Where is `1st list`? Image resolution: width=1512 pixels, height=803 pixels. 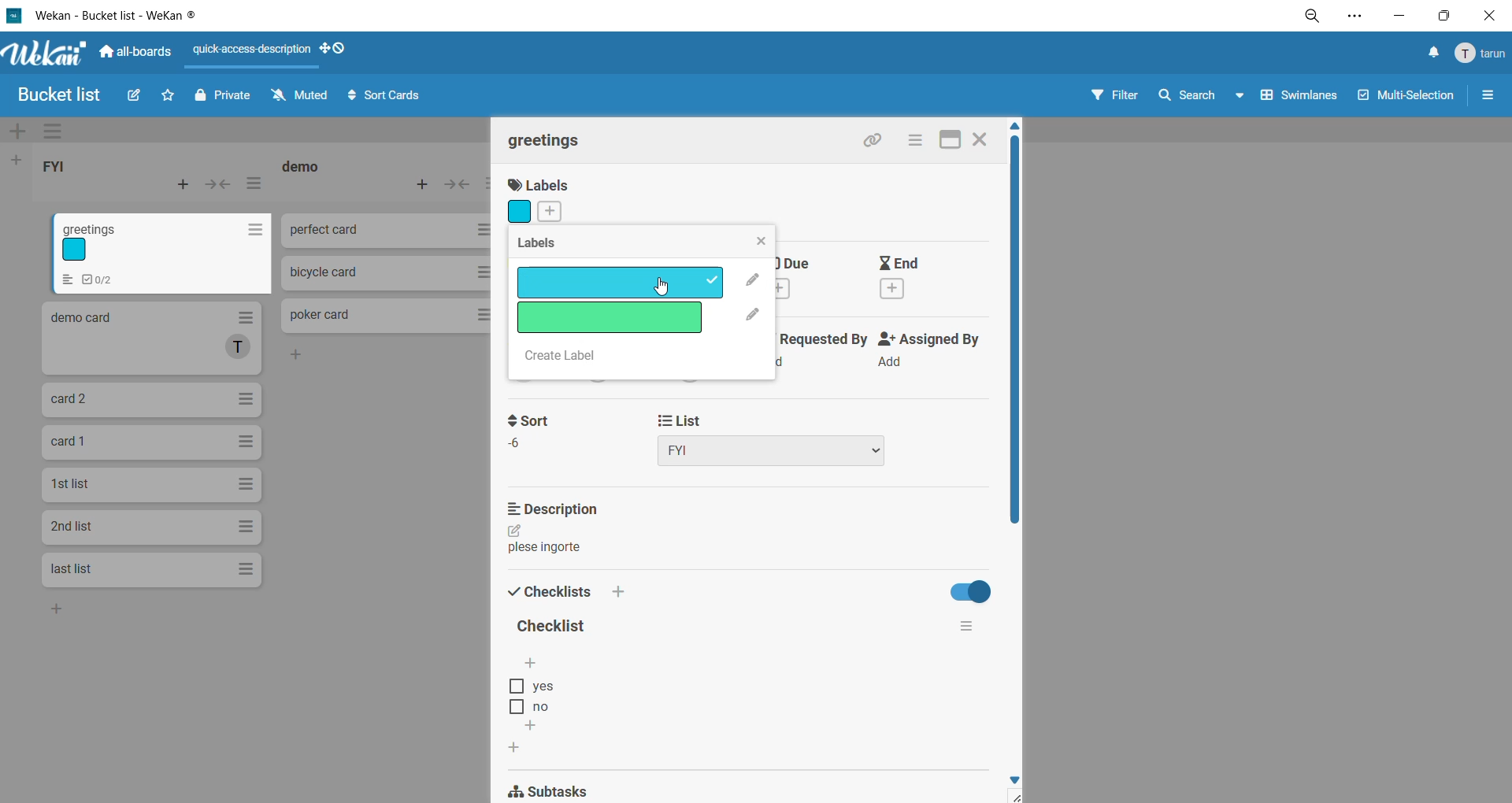
1st list is located at coordinates (150, 484).